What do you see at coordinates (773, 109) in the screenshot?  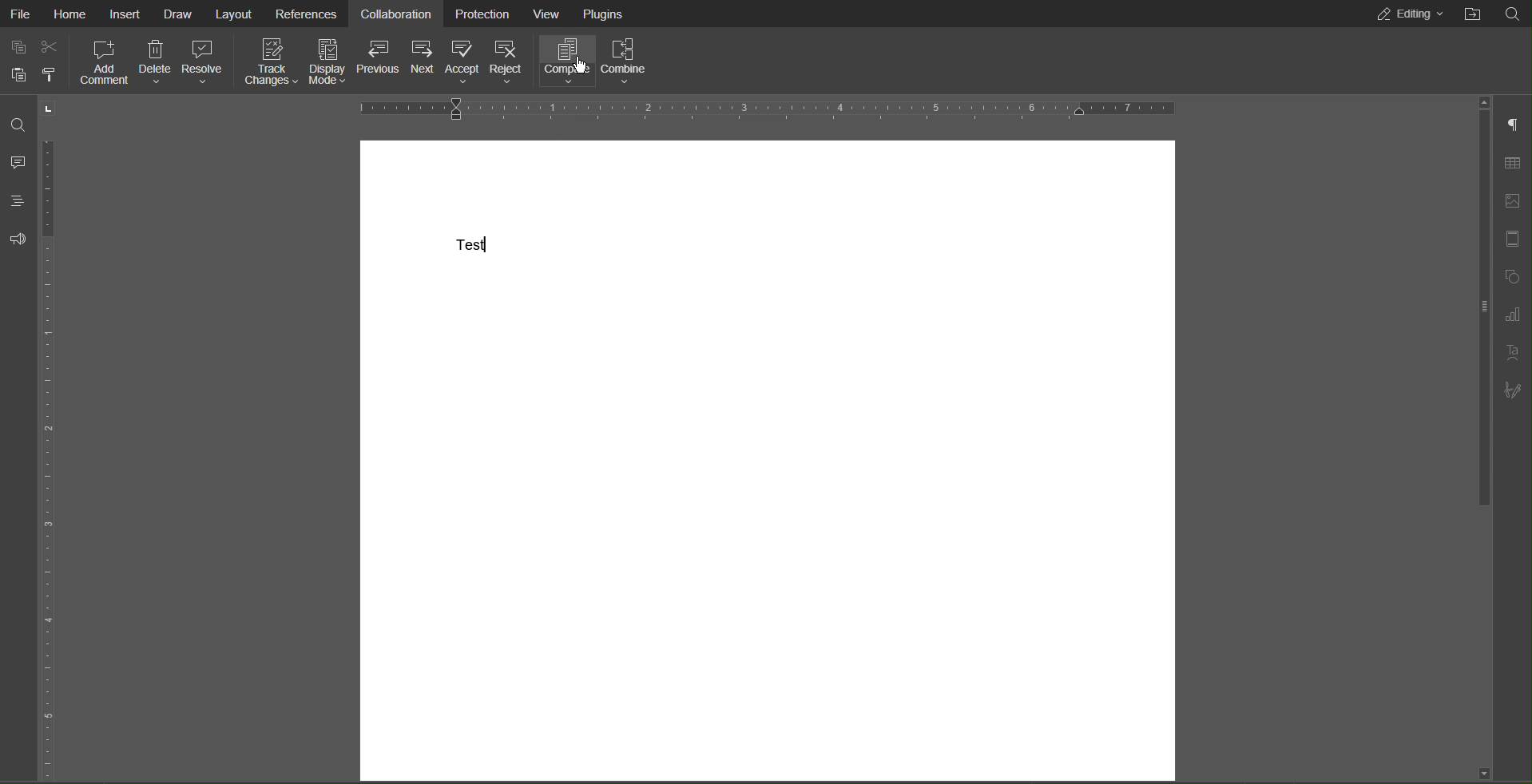 I see `Horizontal Ruler` at bounding box center [773, 109].